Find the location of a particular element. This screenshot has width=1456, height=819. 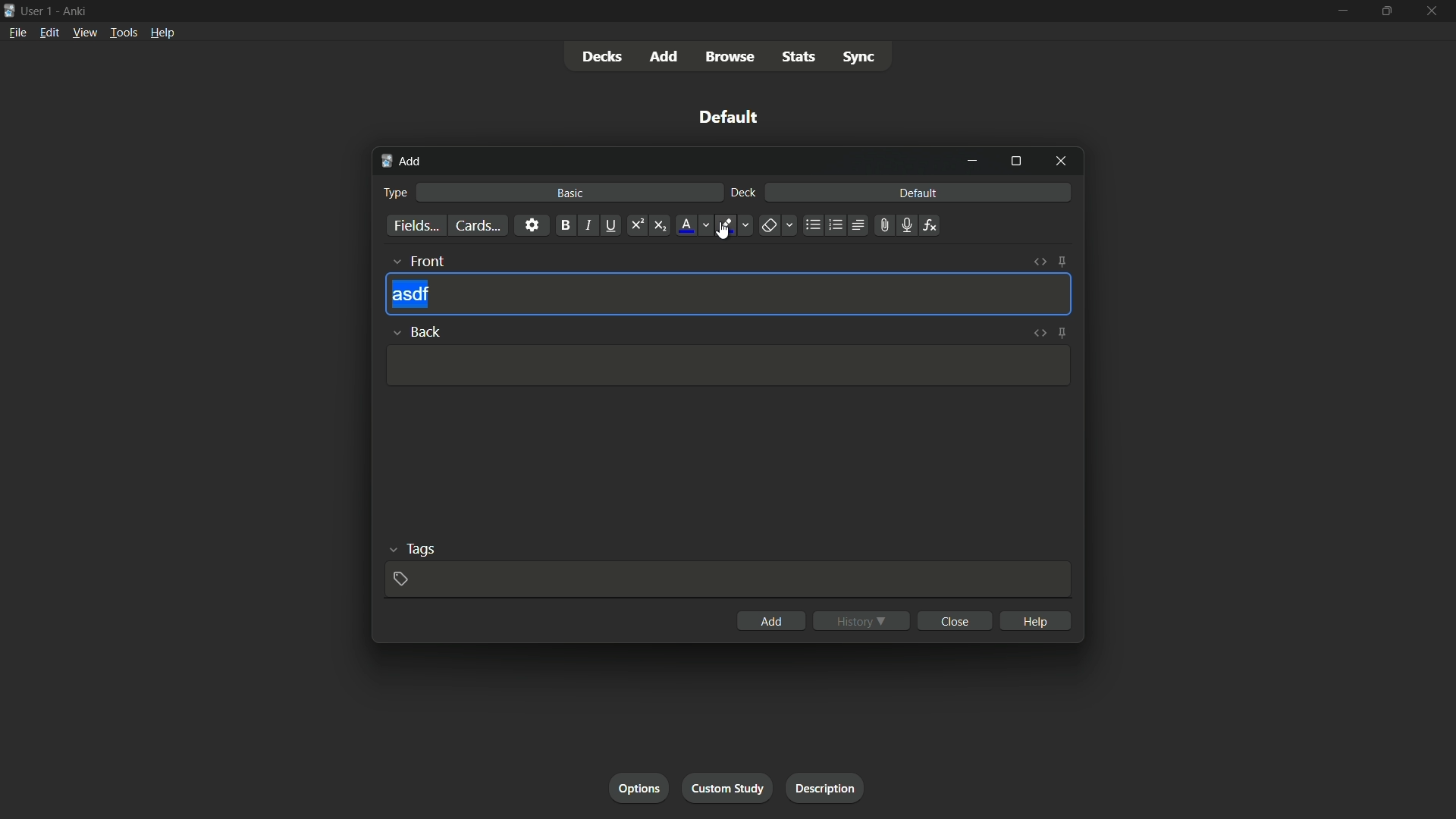

asdf is located at coordinates (411, 295).